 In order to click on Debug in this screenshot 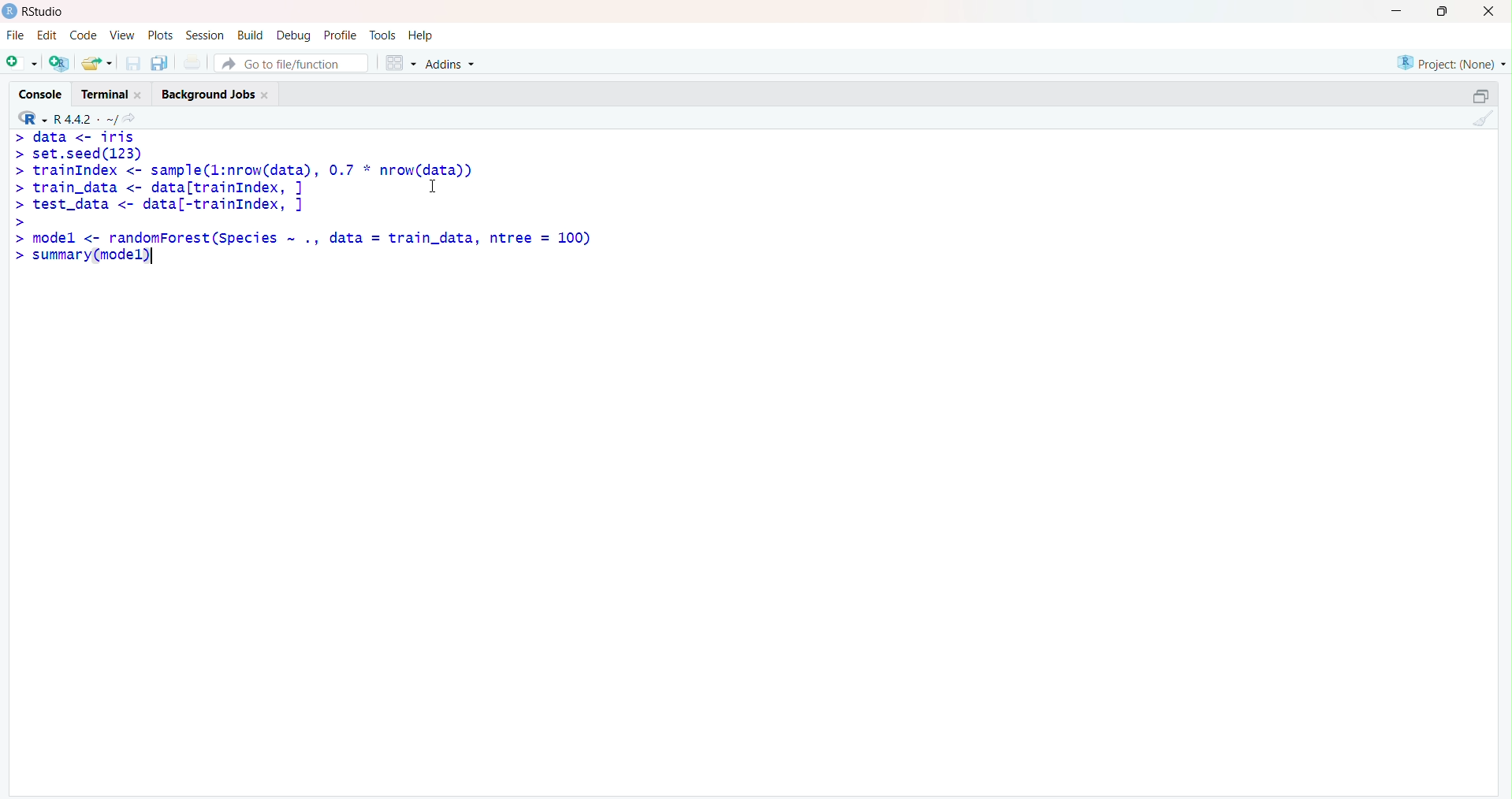, I will do `click(295, 34)`.